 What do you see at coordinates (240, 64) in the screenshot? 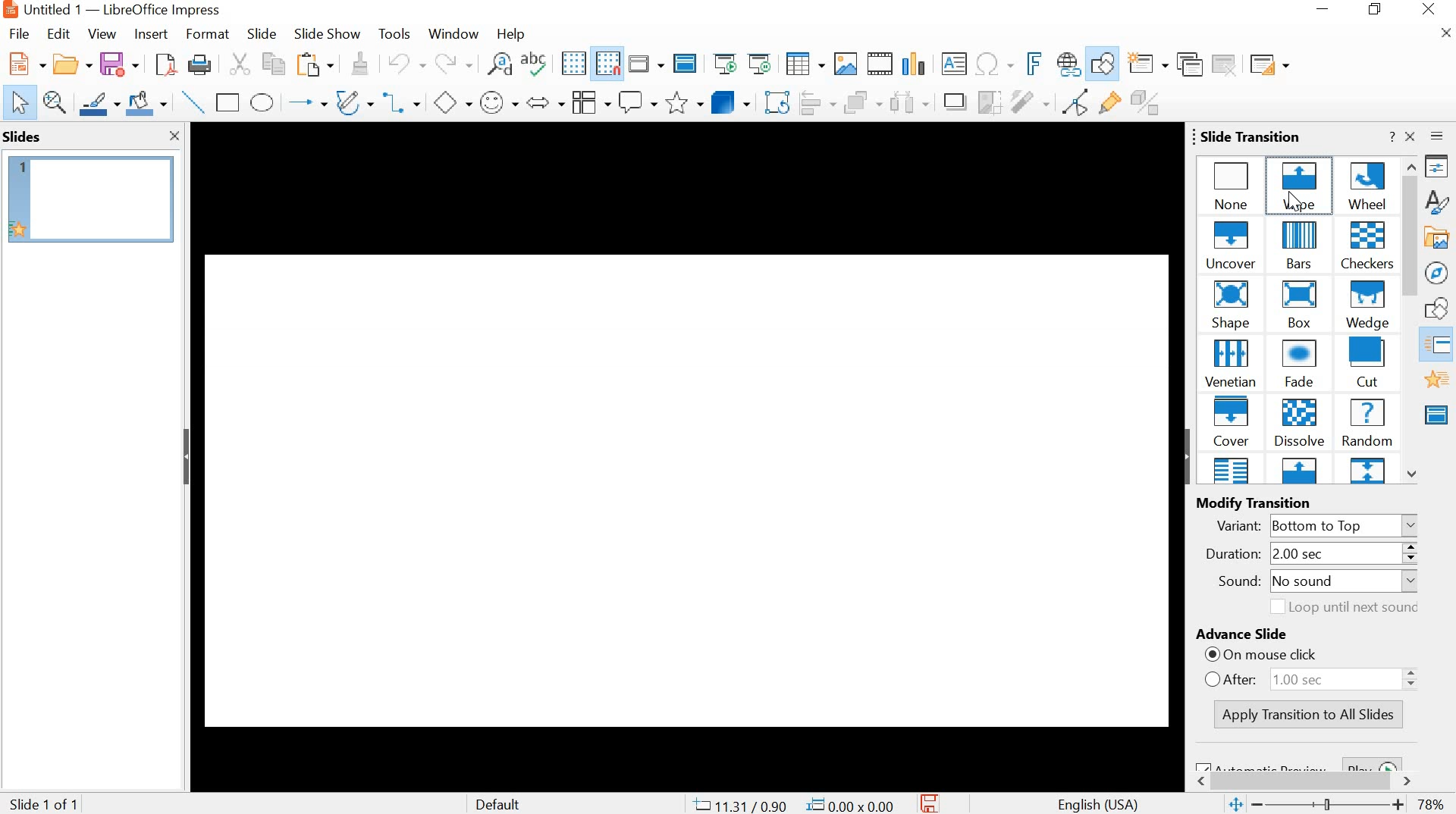
I see `CUT` at bounding box center [240, 64].